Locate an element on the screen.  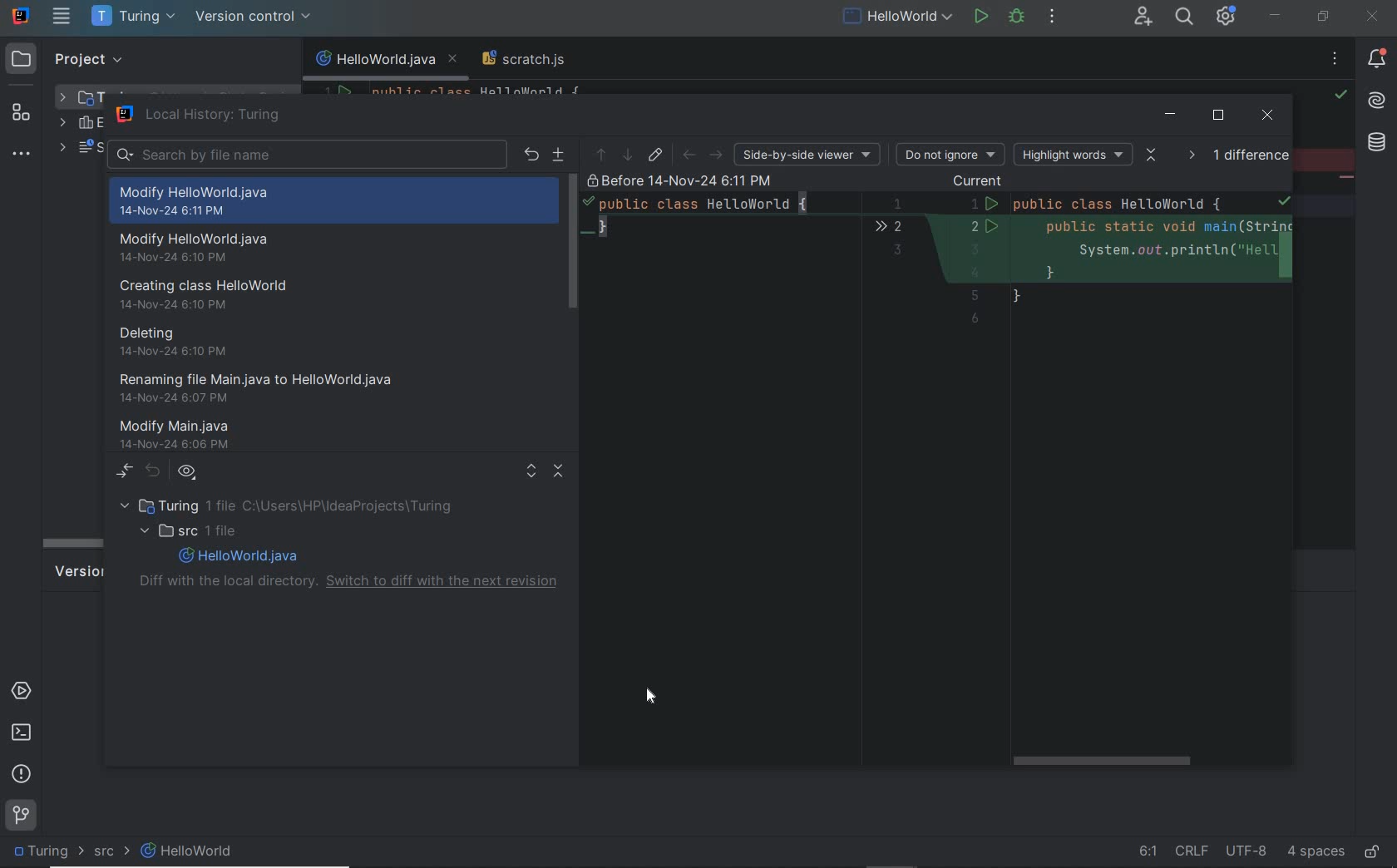
go to line is located at coordinates (1149, 850).